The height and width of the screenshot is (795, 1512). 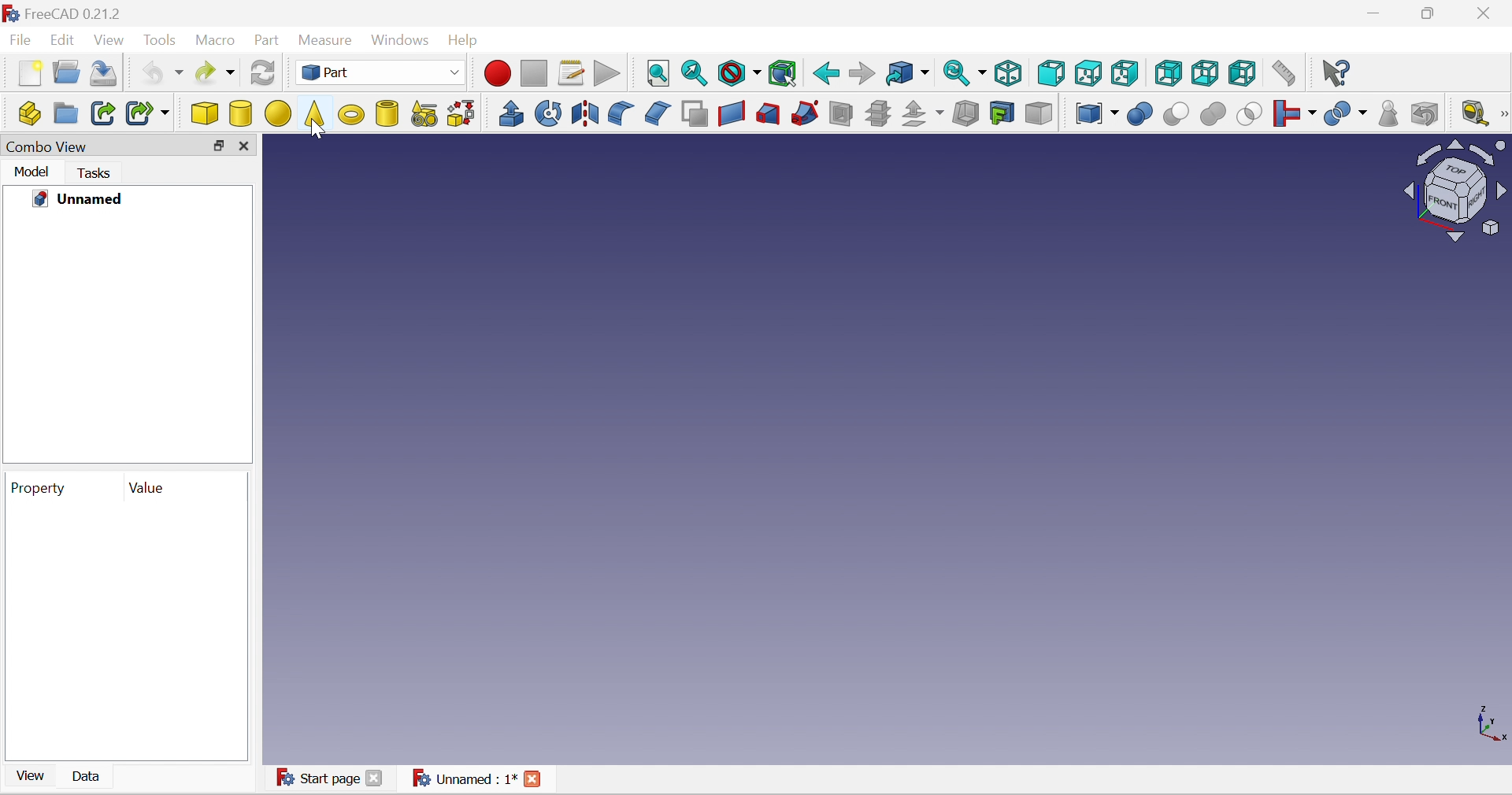 I want to click on Defeaturing, so click(x=1423, y=114).